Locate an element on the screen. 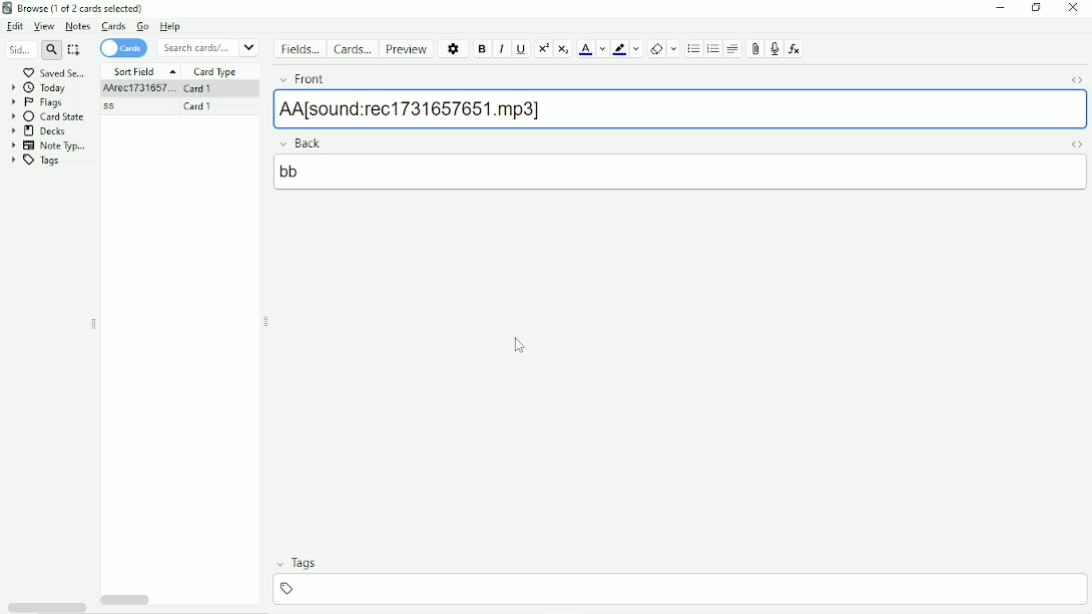 This screenshot has height=614, width=1092. Select is located at coordinates (75, 50).